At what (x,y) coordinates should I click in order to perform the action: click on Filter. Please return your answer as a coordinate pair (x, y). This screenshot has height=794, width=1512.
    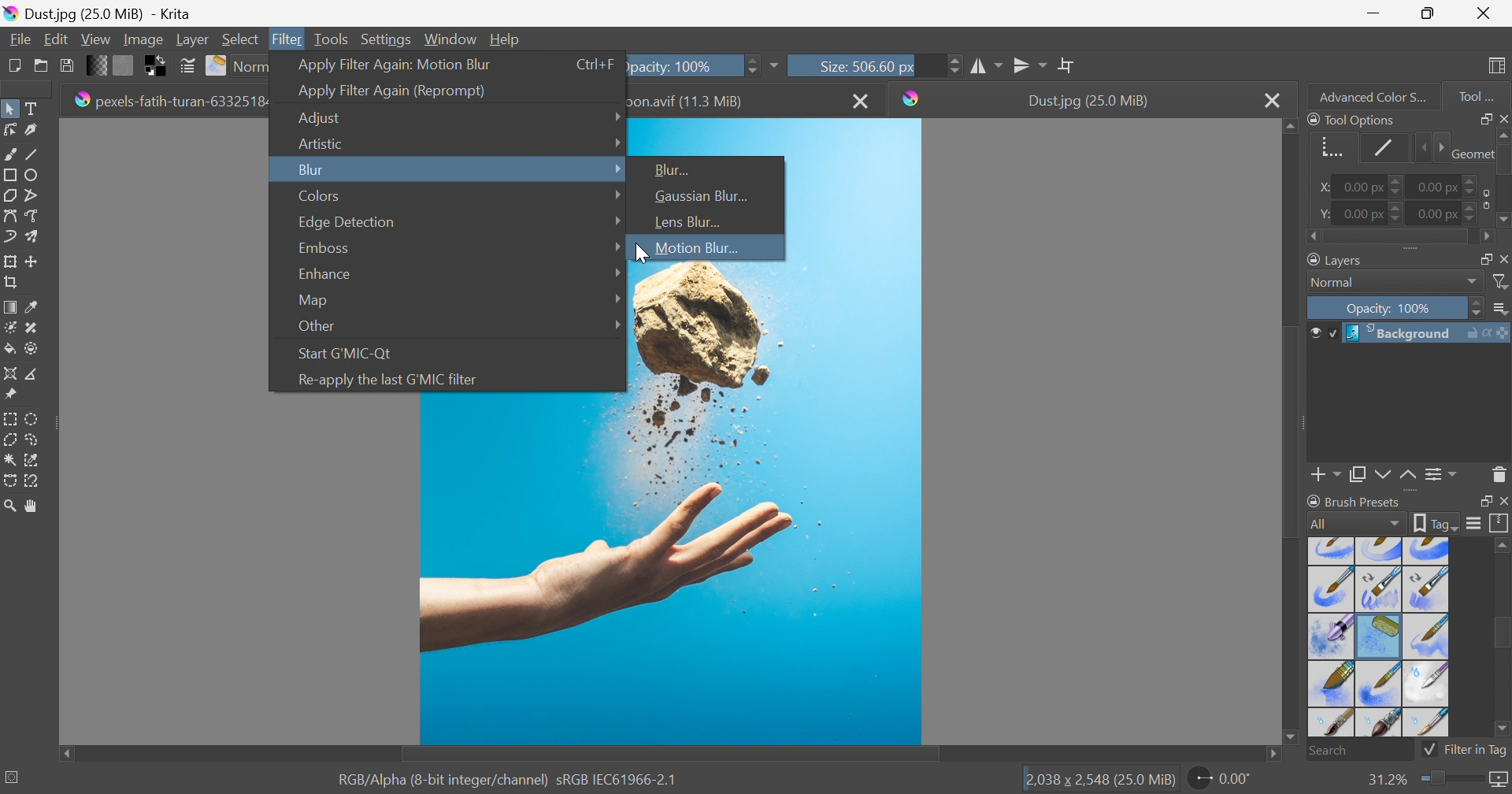
    Looking at the image, I should click on (1502, 282).